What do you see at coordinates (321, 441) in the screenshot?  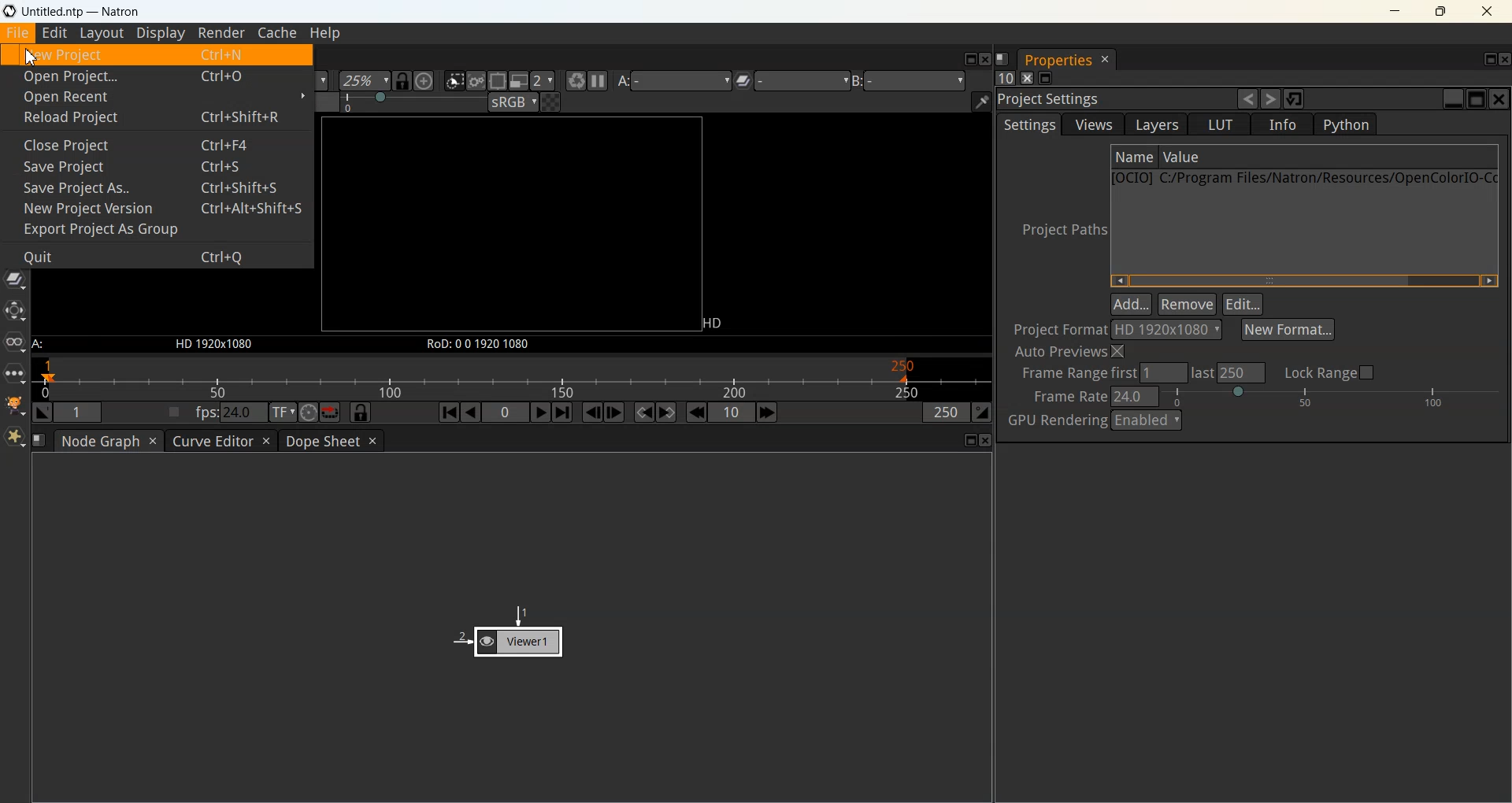 I see `Dope Sheet` at bounding box center [321, 441].